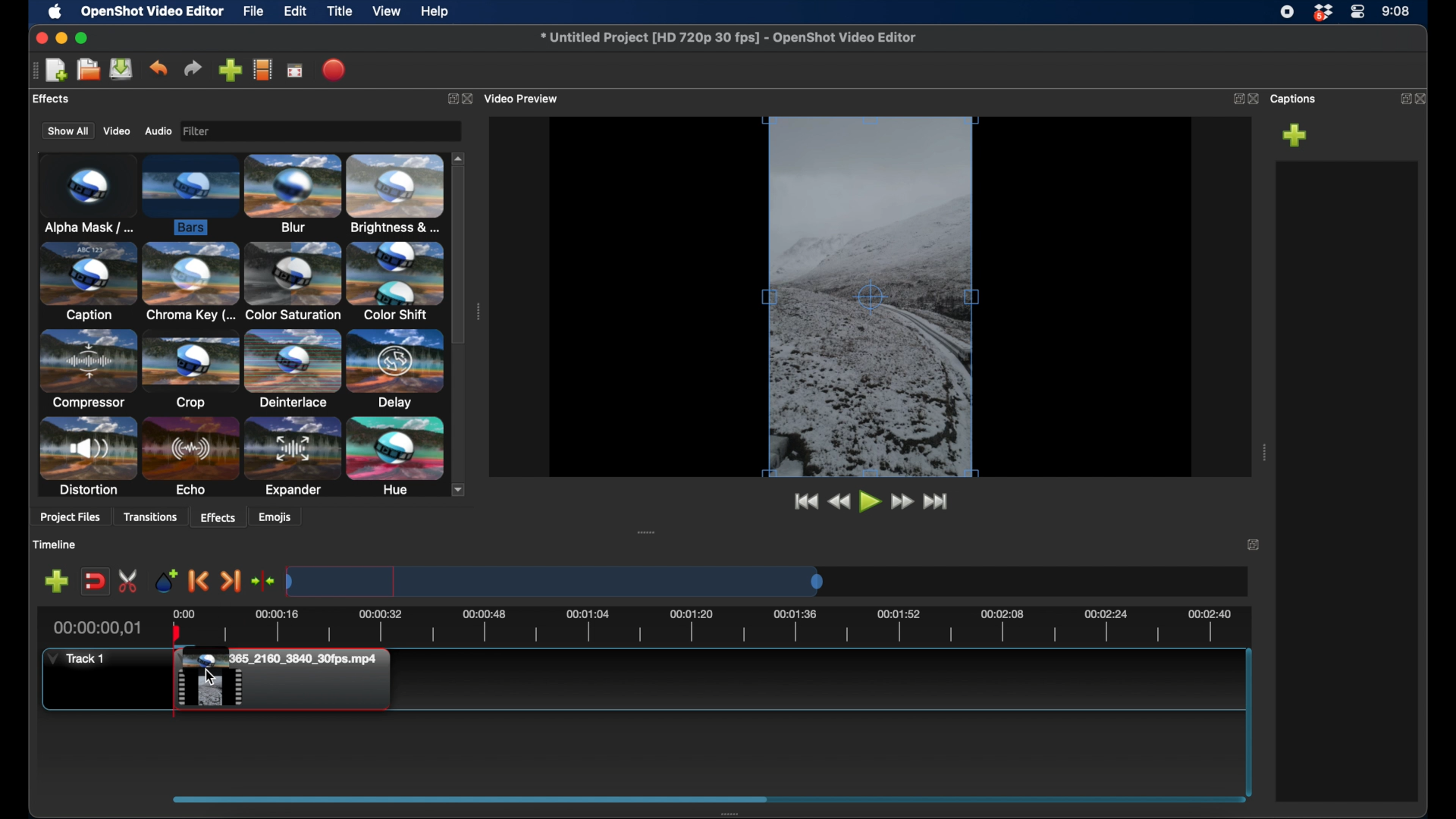 This screenshot has height=819, width=1456. I want to click on distortion, so click(88, 457).